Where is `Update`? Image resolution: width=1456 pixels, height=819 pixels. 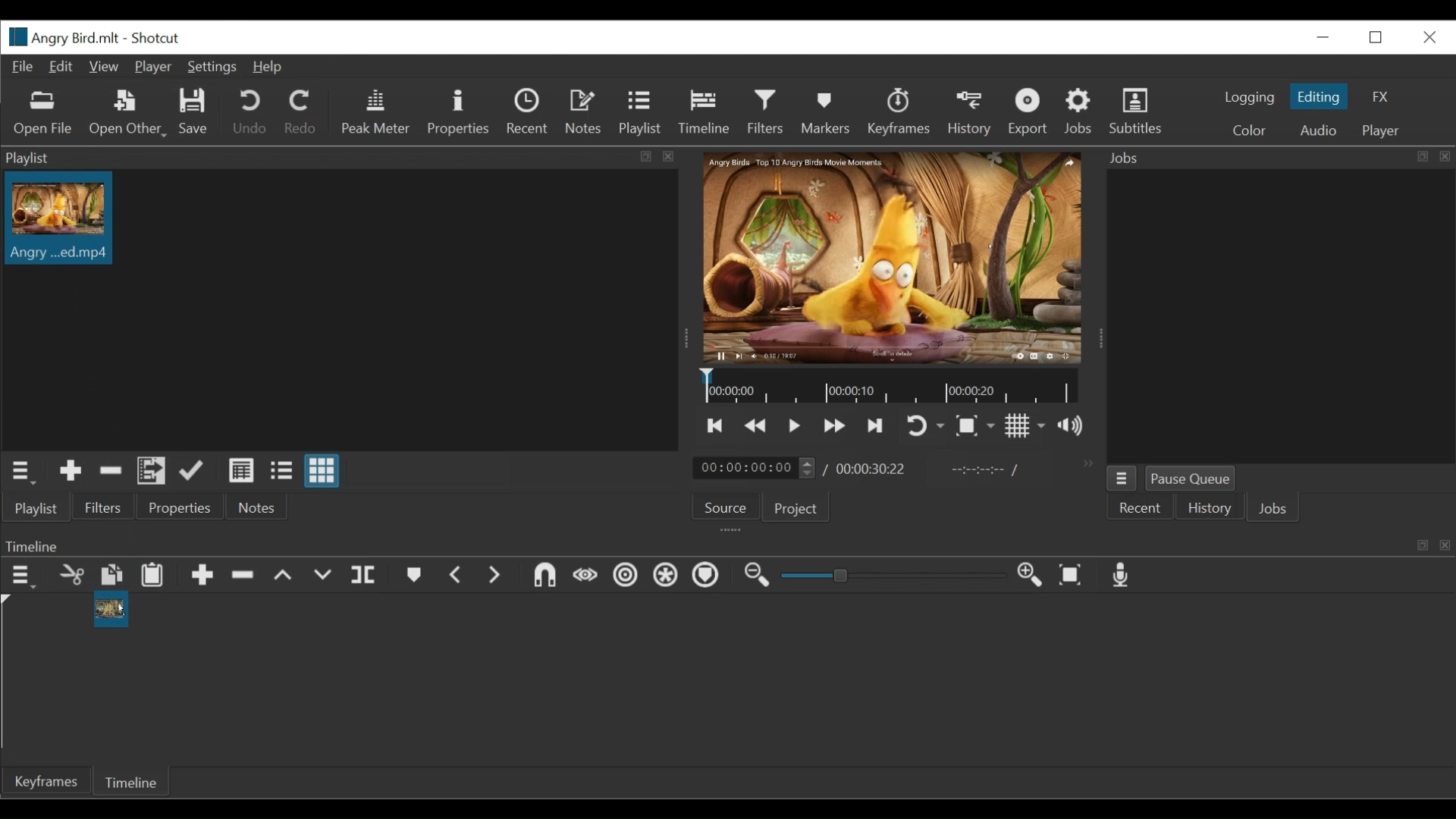 Update is located at coordinates (193, 470).